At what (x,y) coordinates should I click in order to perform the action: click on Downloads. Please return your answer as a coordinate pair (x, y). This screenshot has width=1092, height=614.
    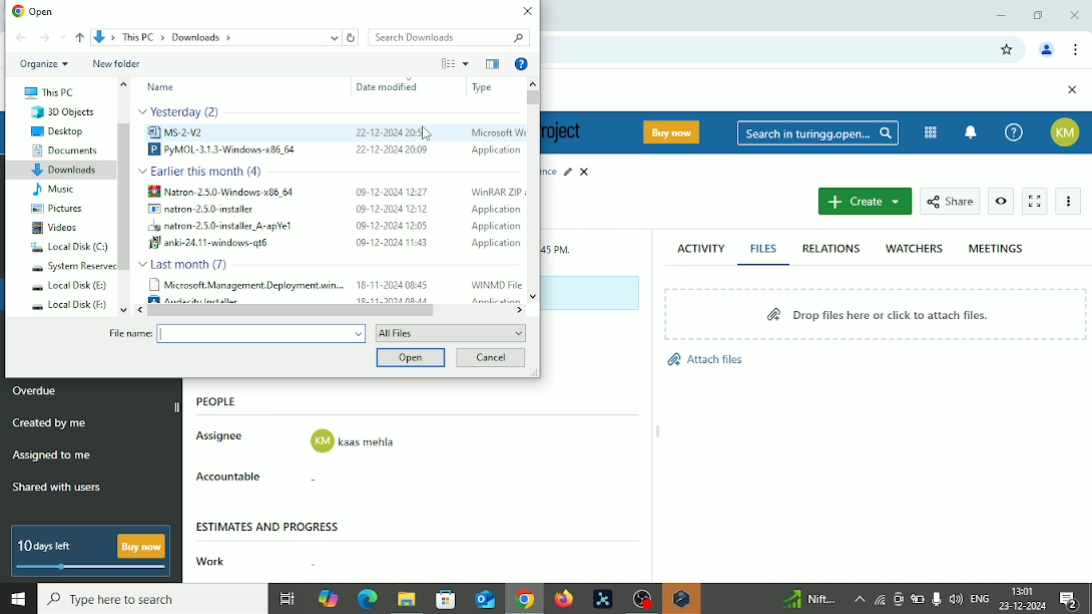
    Looking at the image, I should click on (64, 170).